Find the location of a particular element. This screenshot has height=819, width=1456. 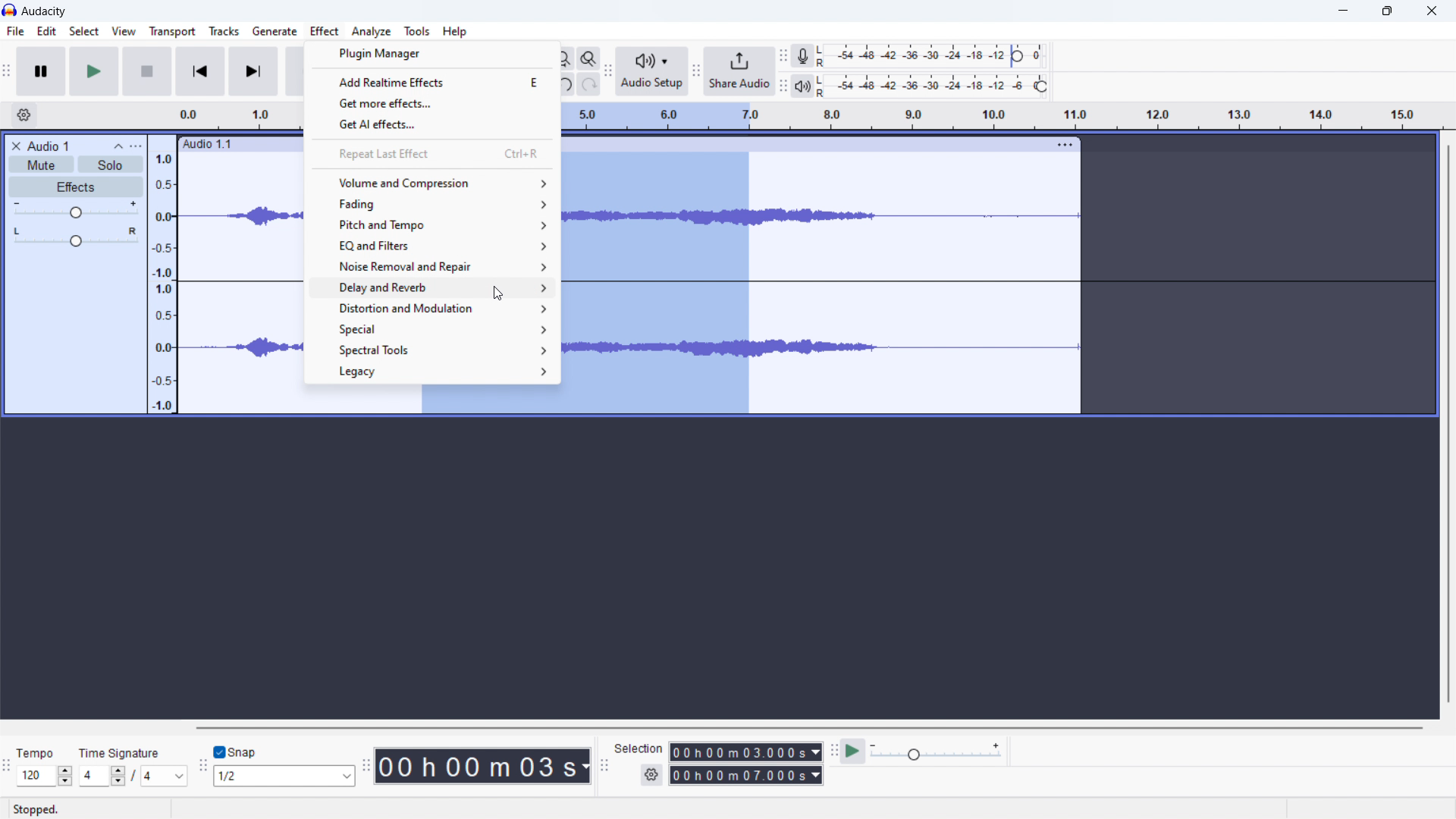

get more effects.. is located at coordinates (430, 99).